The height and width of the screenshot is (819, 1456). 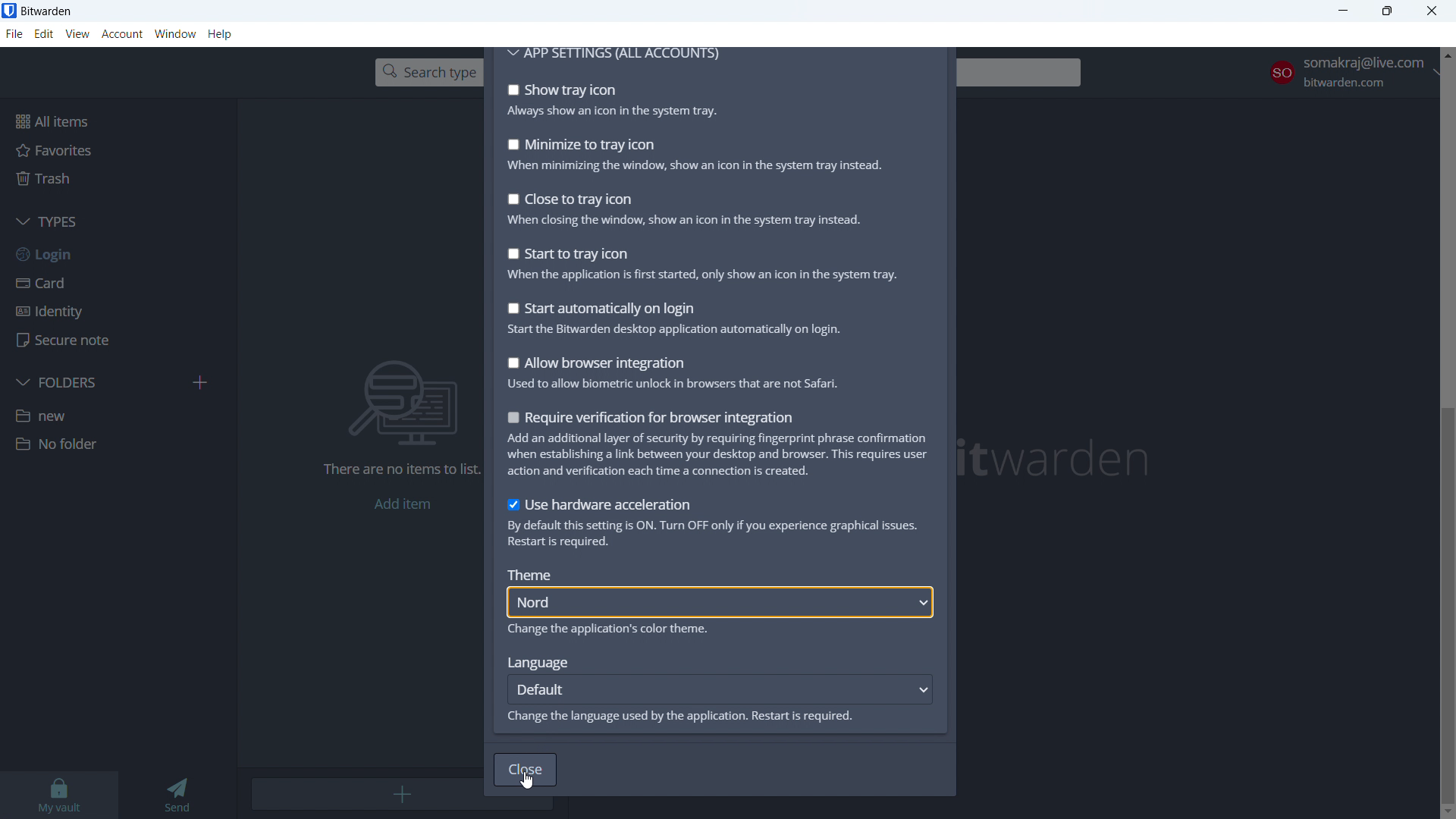 What do you see at coordinates (118, 312) in the screenshot?
I see `identity` at bounding box center [118, 312].